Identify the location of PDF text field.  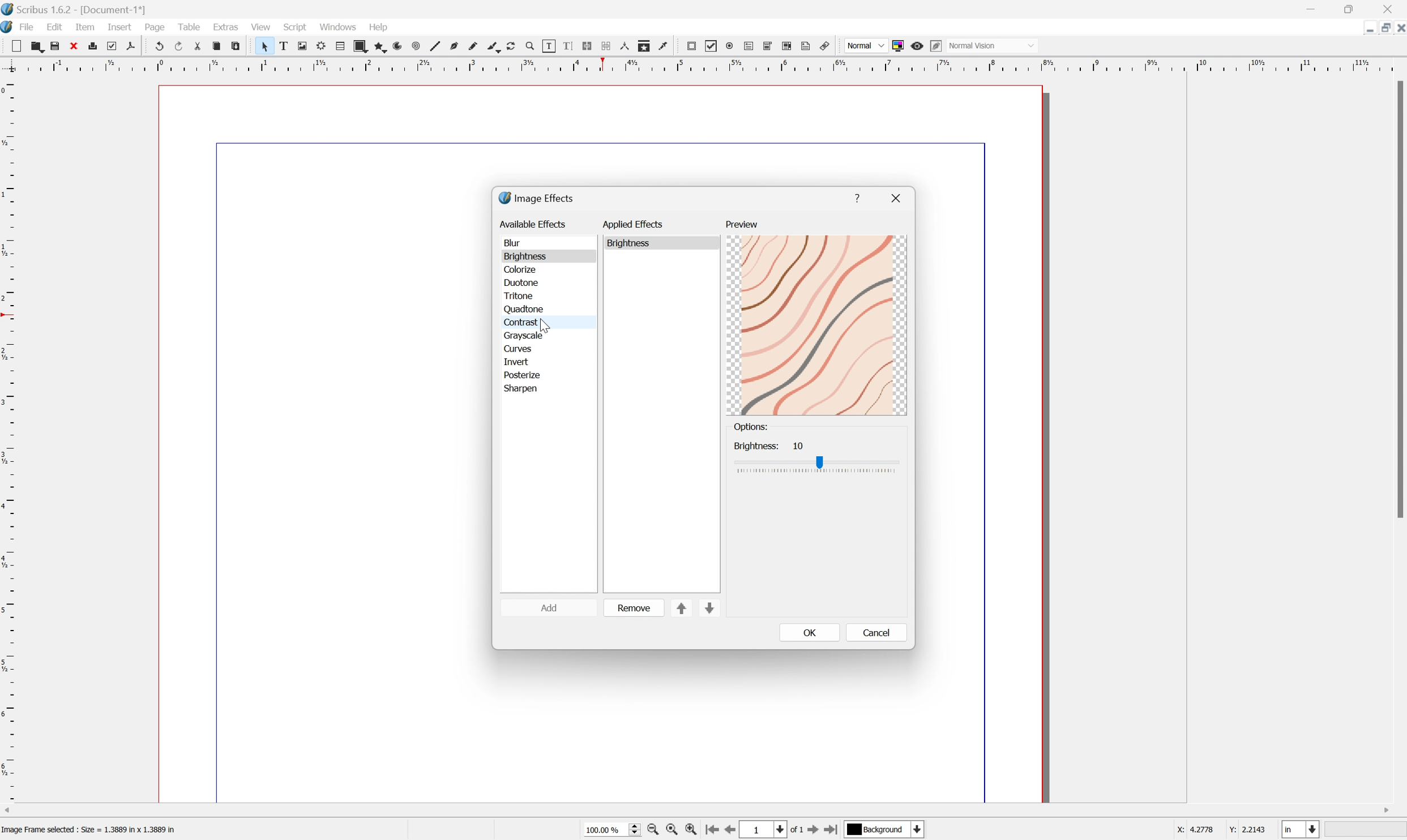
(747, 47).